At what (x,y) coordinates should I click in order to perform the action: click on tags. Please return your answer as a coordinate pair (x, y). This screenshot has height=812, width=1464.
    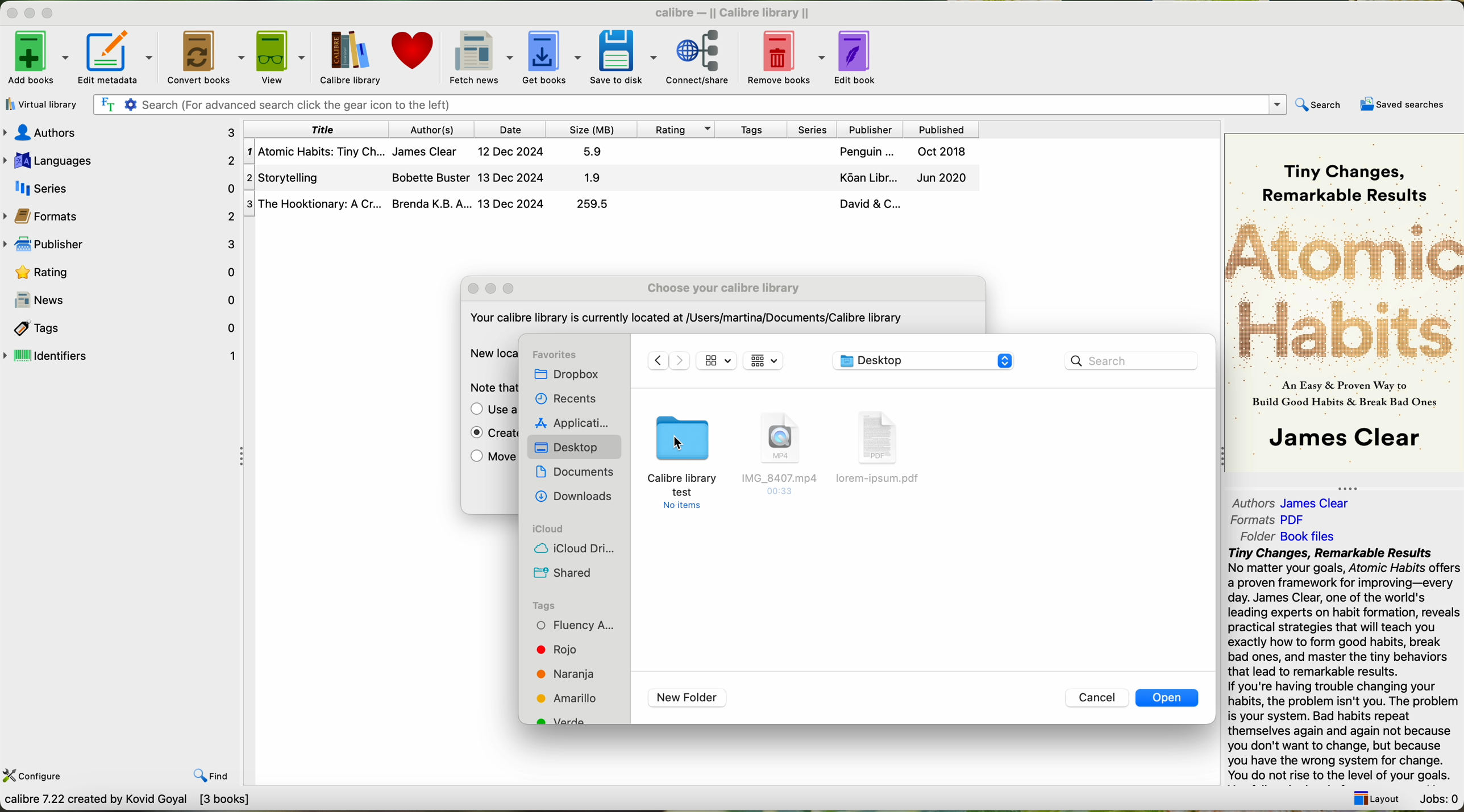
    Looking at the image, I should click on (544, 605).